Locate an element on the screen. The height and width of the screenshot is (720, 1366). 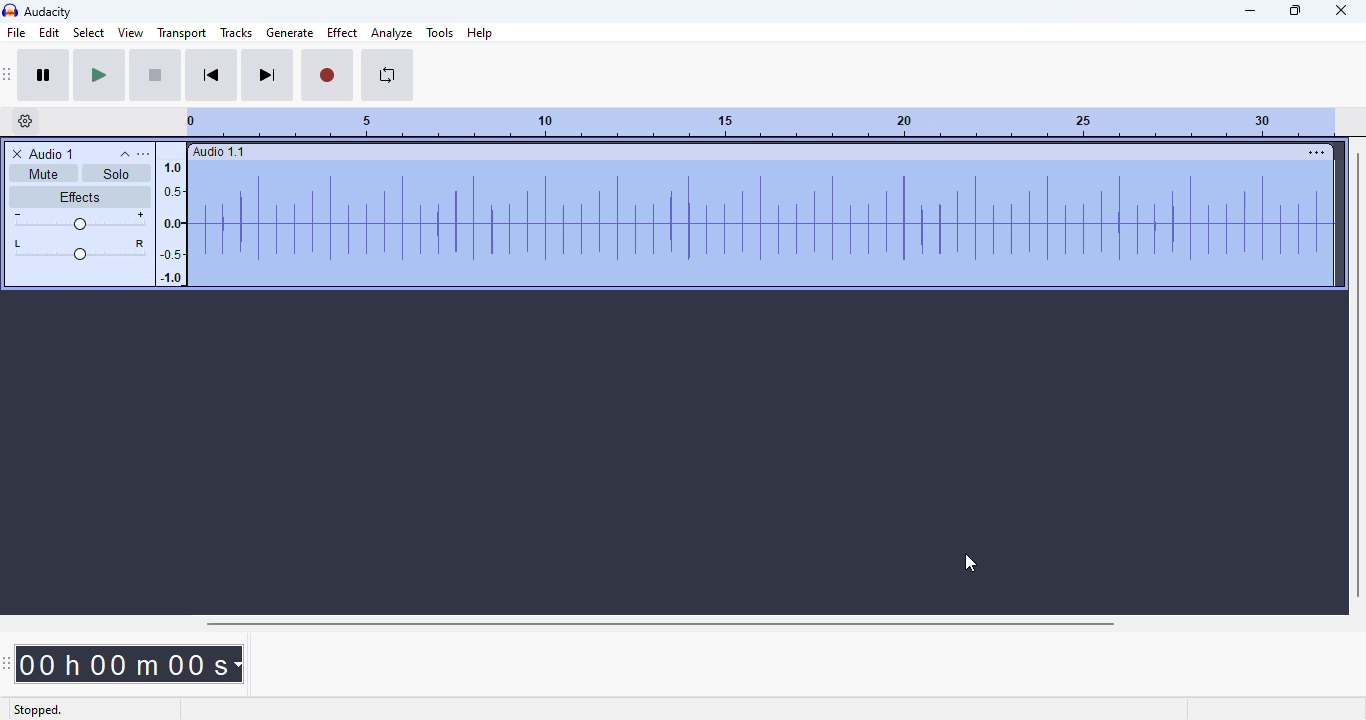
stop is located at coordinates (155, 75).